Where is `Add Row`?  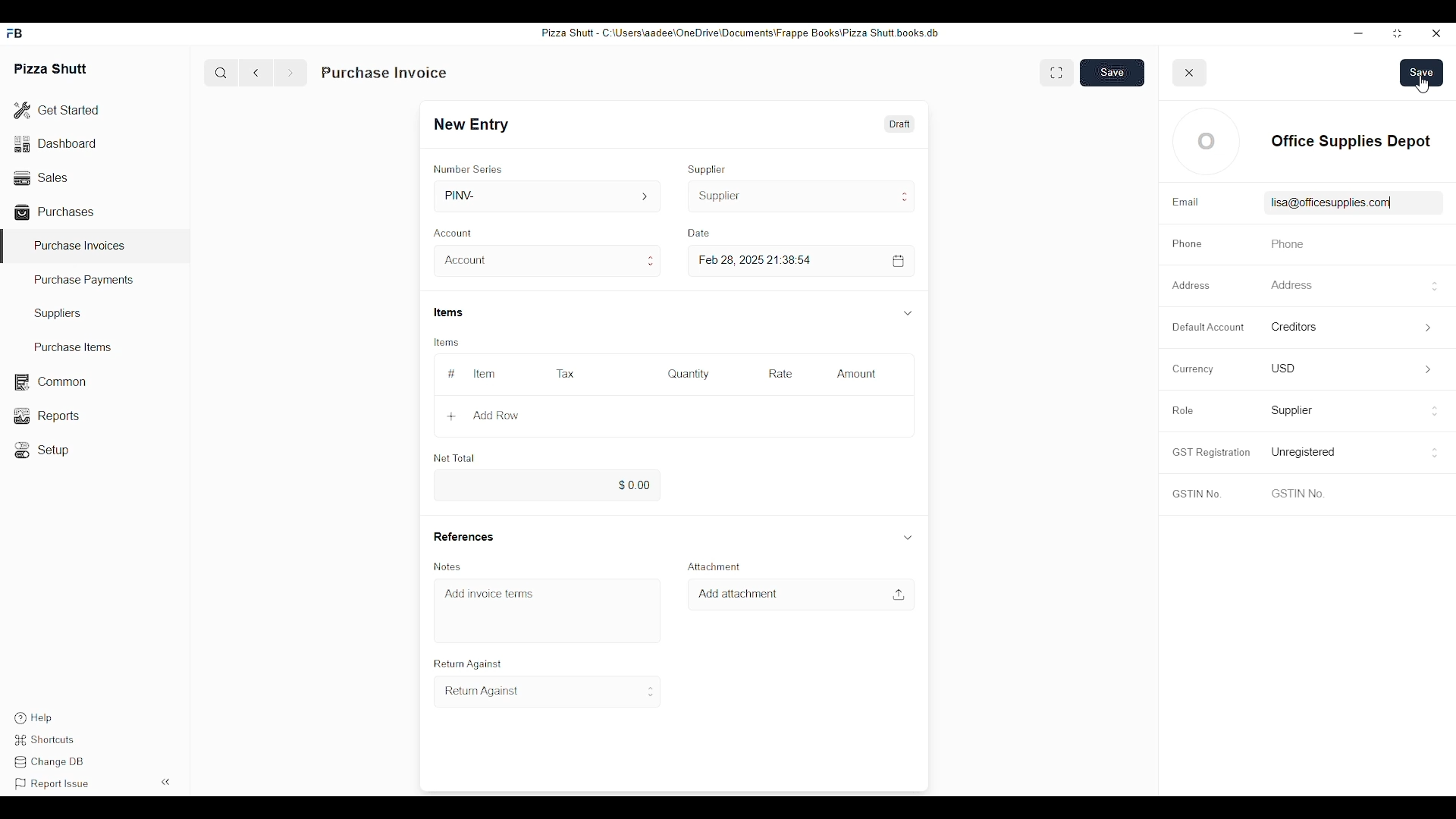
Add Row is located at coordinates (483, 416).